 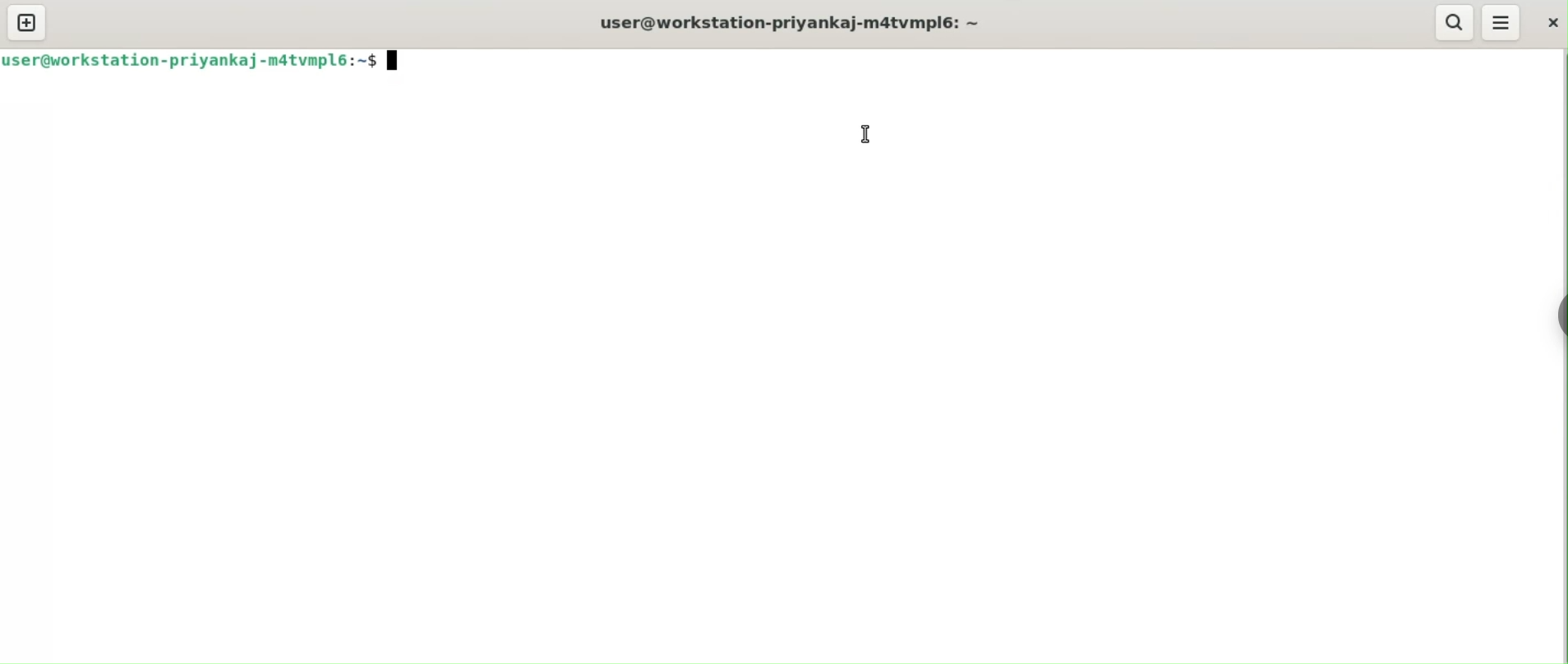 What do you see at coordinates (397, 64) in the screenshot?
I see `Cursor` at bounding box center [397, 64].